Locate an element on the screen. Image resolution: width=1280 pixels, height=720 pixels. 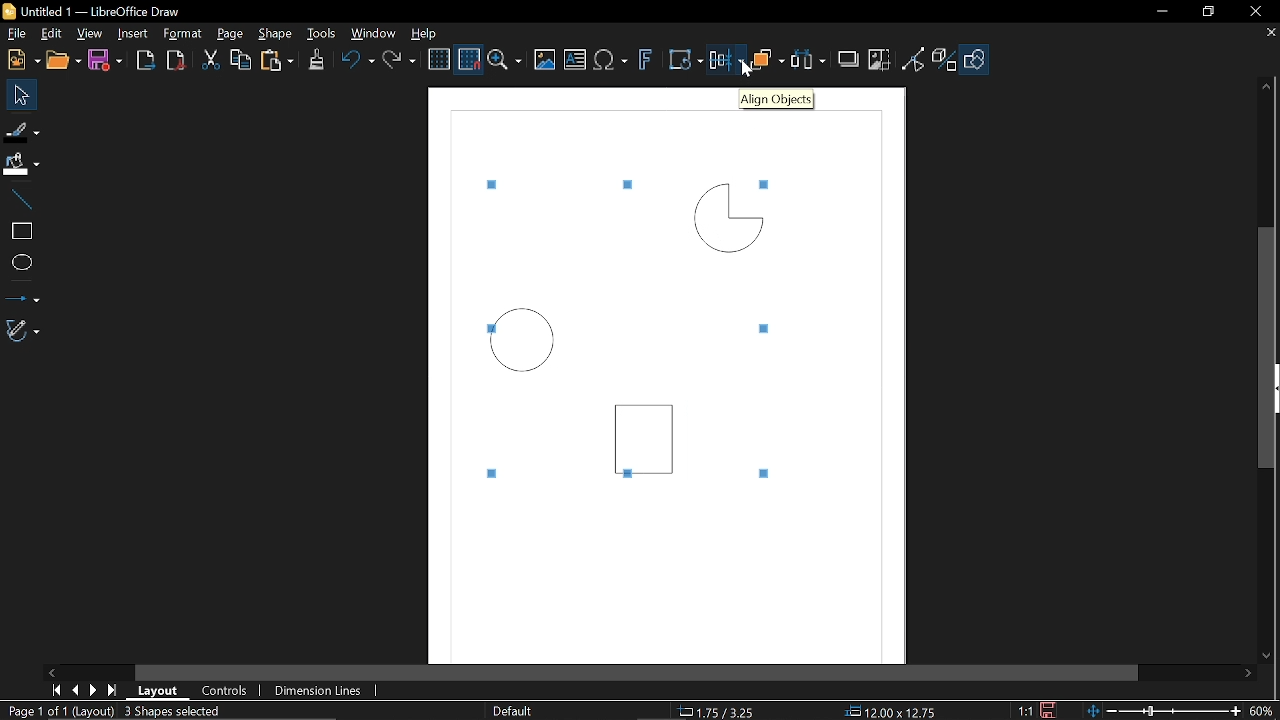
Minimize is located at coordinates (1167, 12).